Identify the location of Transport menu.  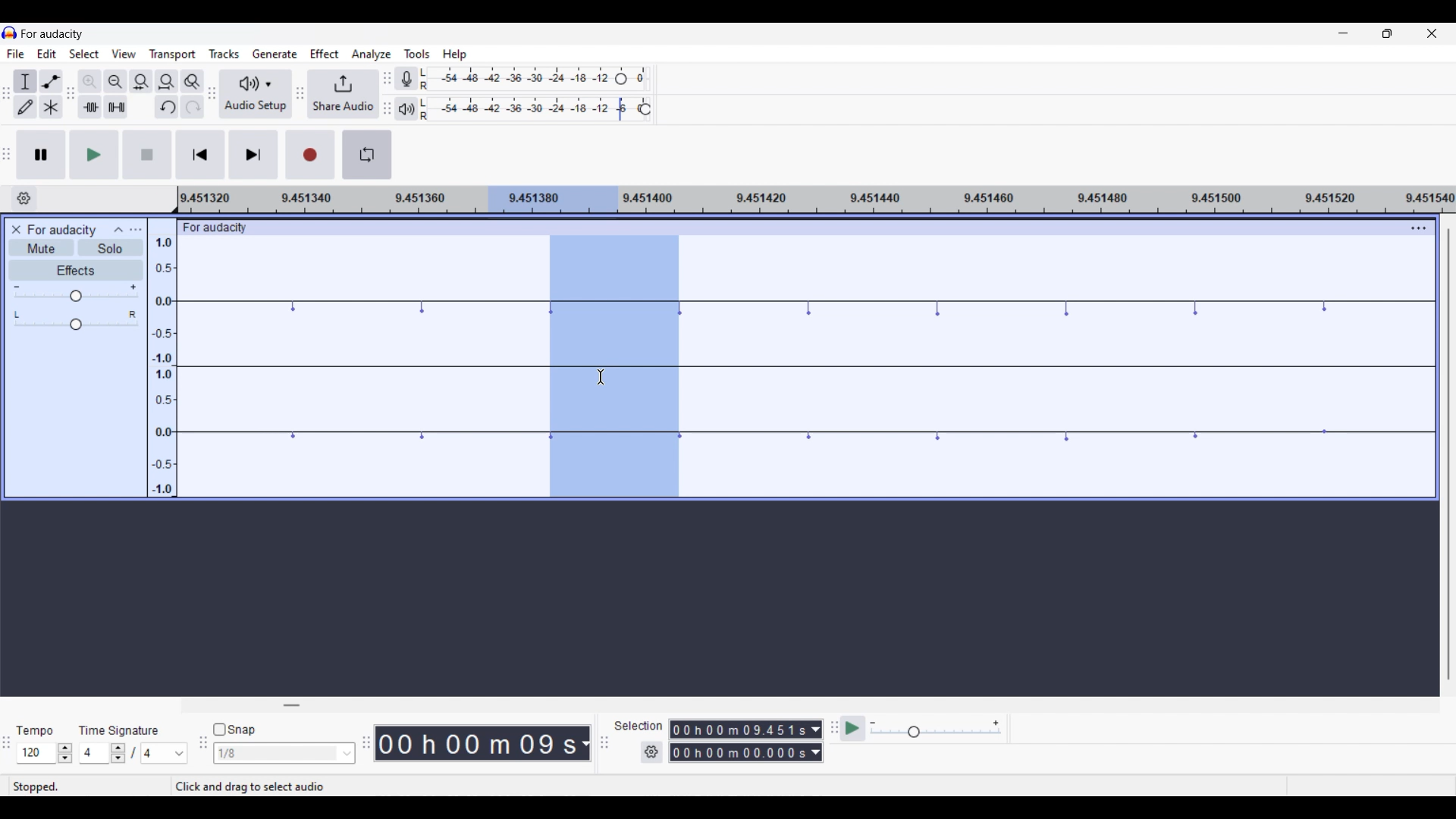
(172, 55).